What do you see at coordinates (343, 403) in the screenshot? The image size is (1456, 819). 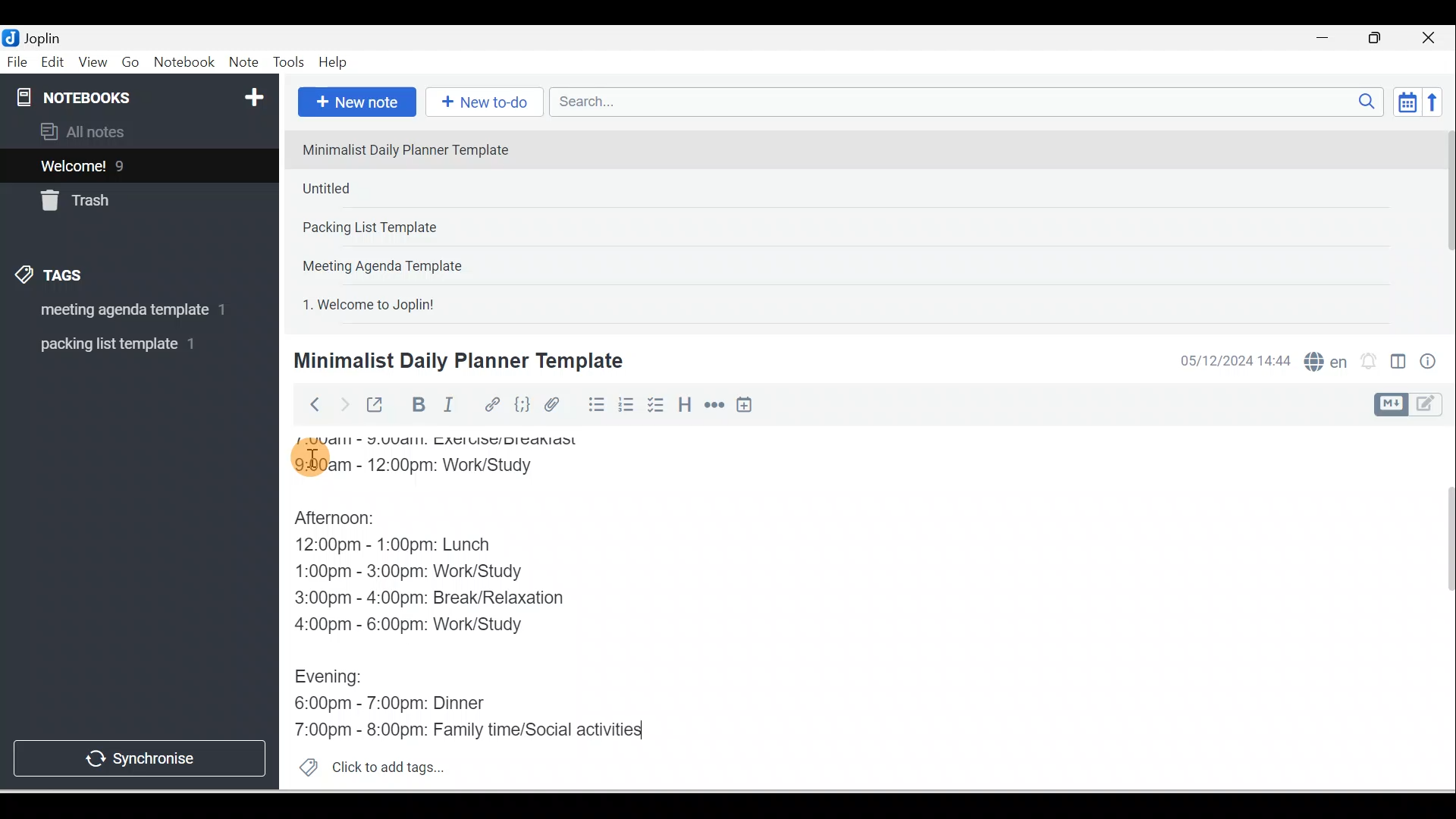 I see `Forward` at bounding box center [343, 403].